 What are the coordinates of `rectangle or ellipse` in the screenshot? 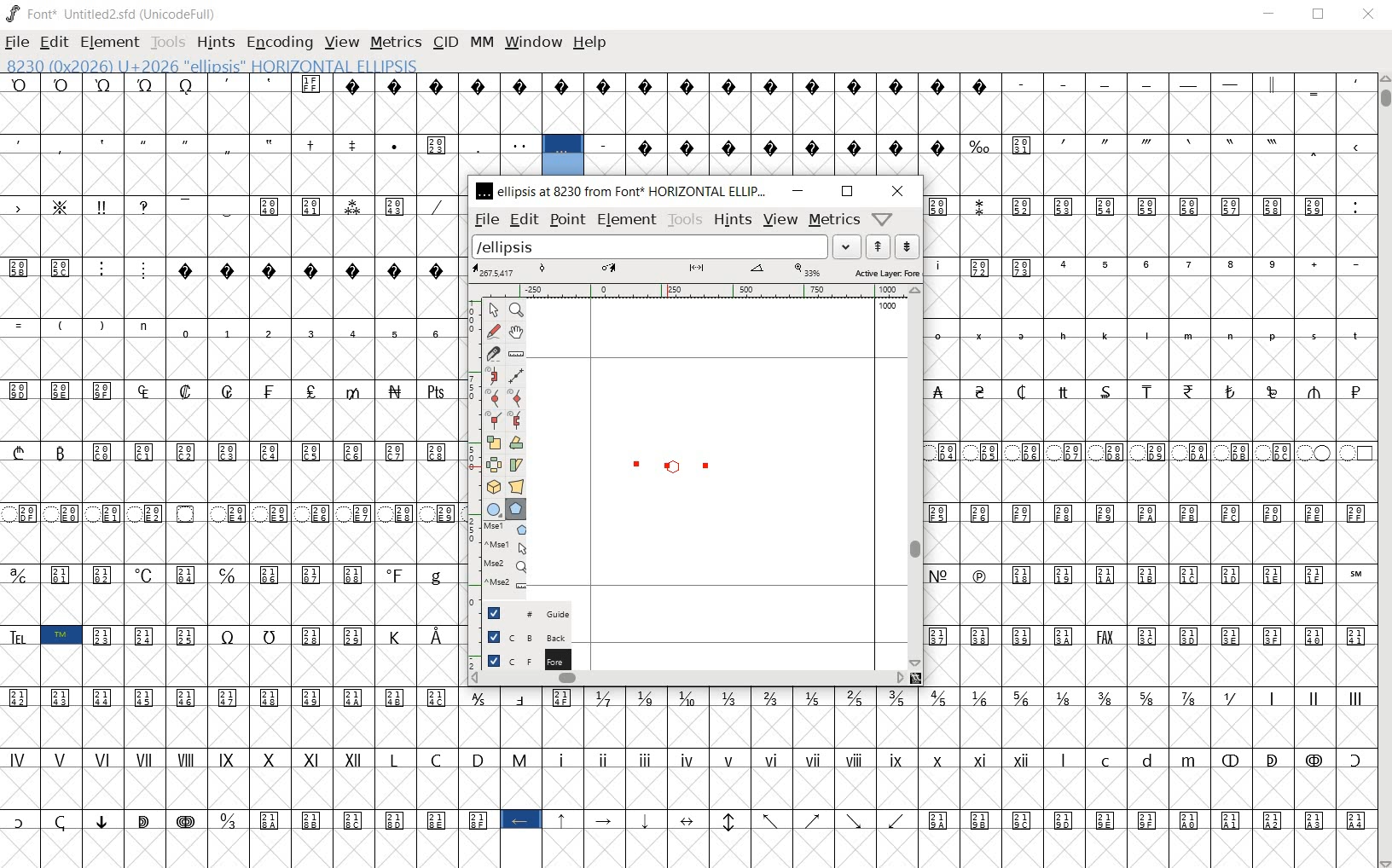 It's located at (490, 508).